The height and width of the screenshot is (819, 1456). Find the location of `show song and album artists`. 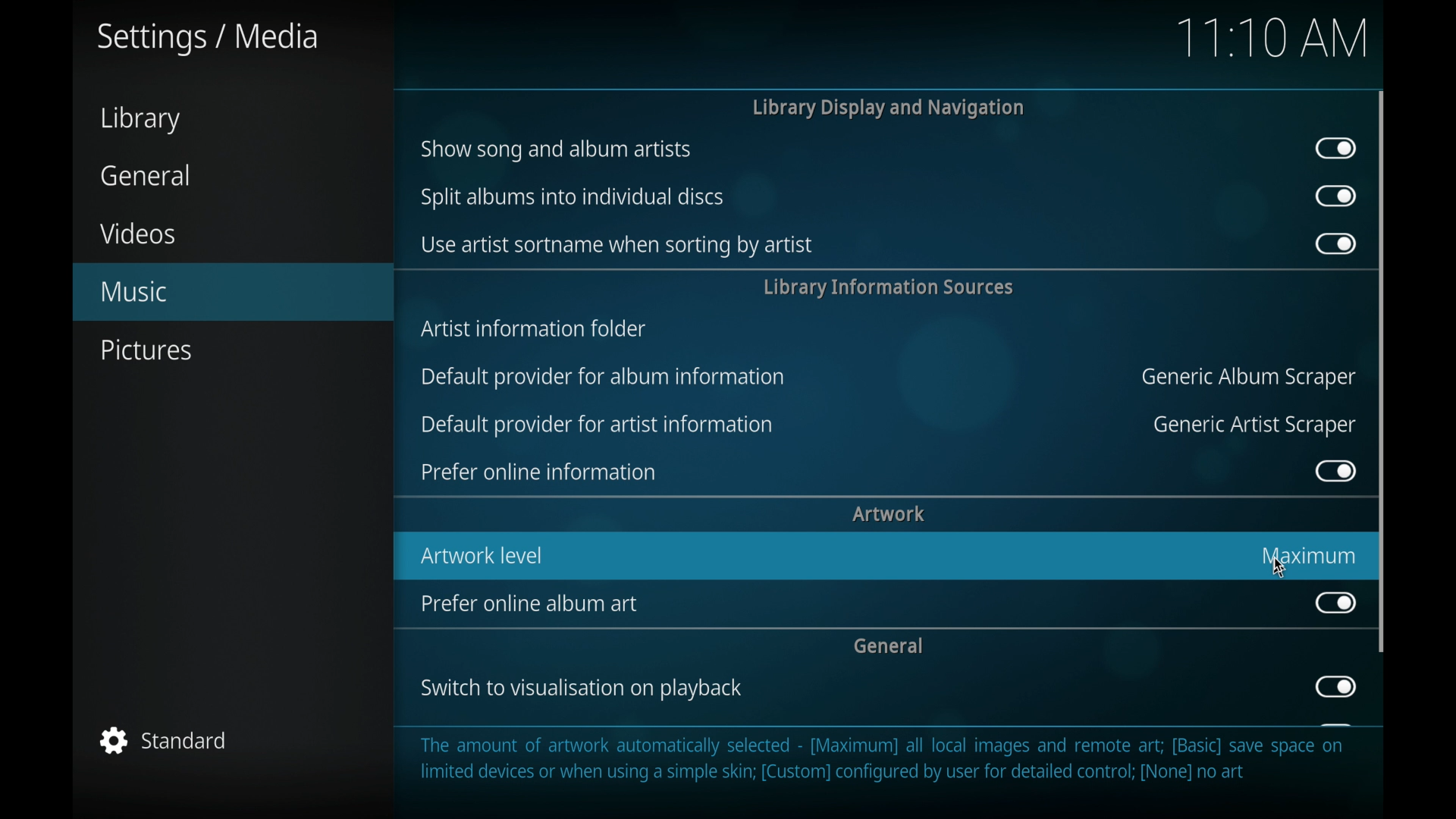

show song and album artists is located at coordinates (555, 150).